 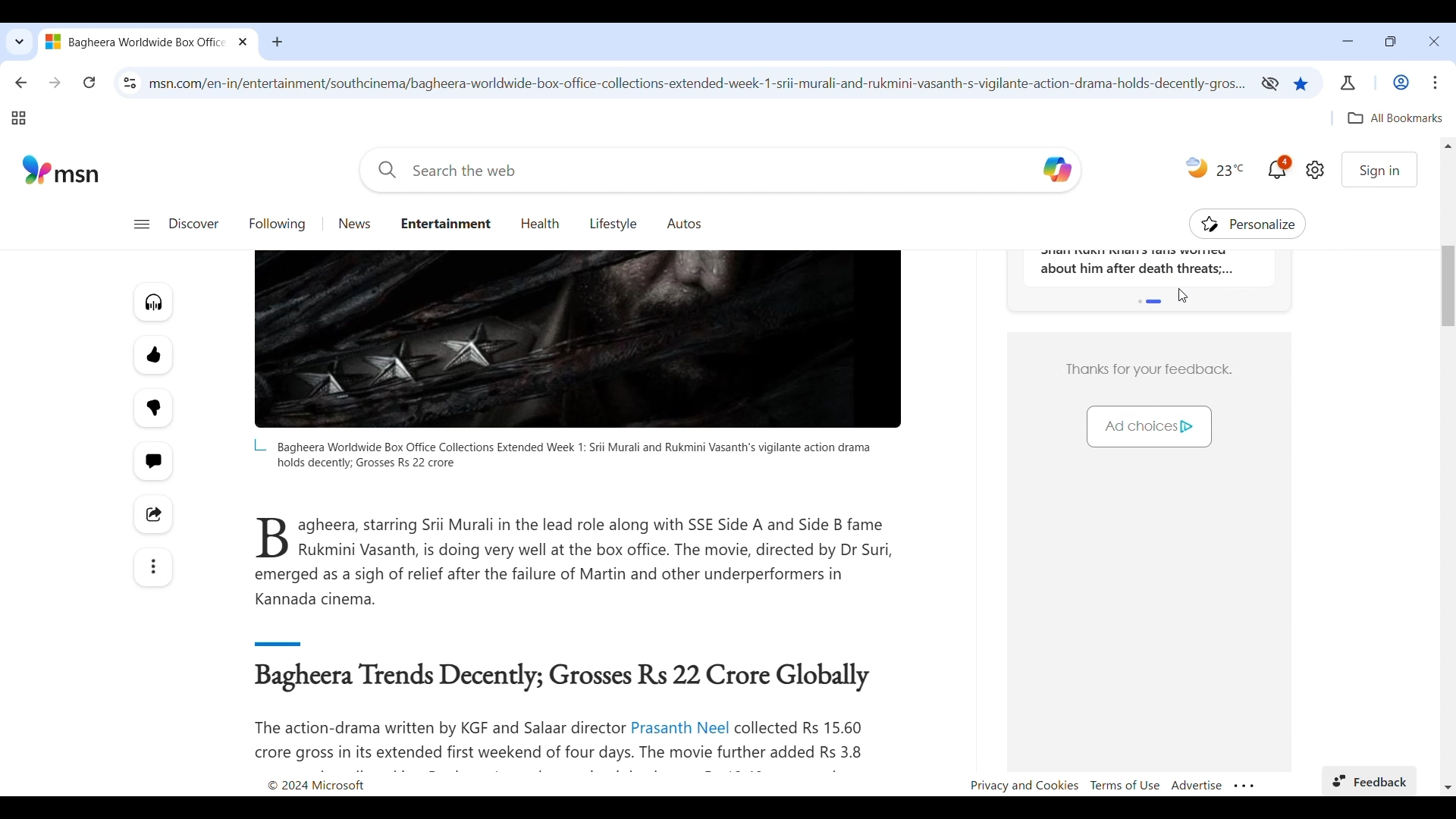 I want to click on Entertainment page highlighted as current page, so click(x=445, y=222).